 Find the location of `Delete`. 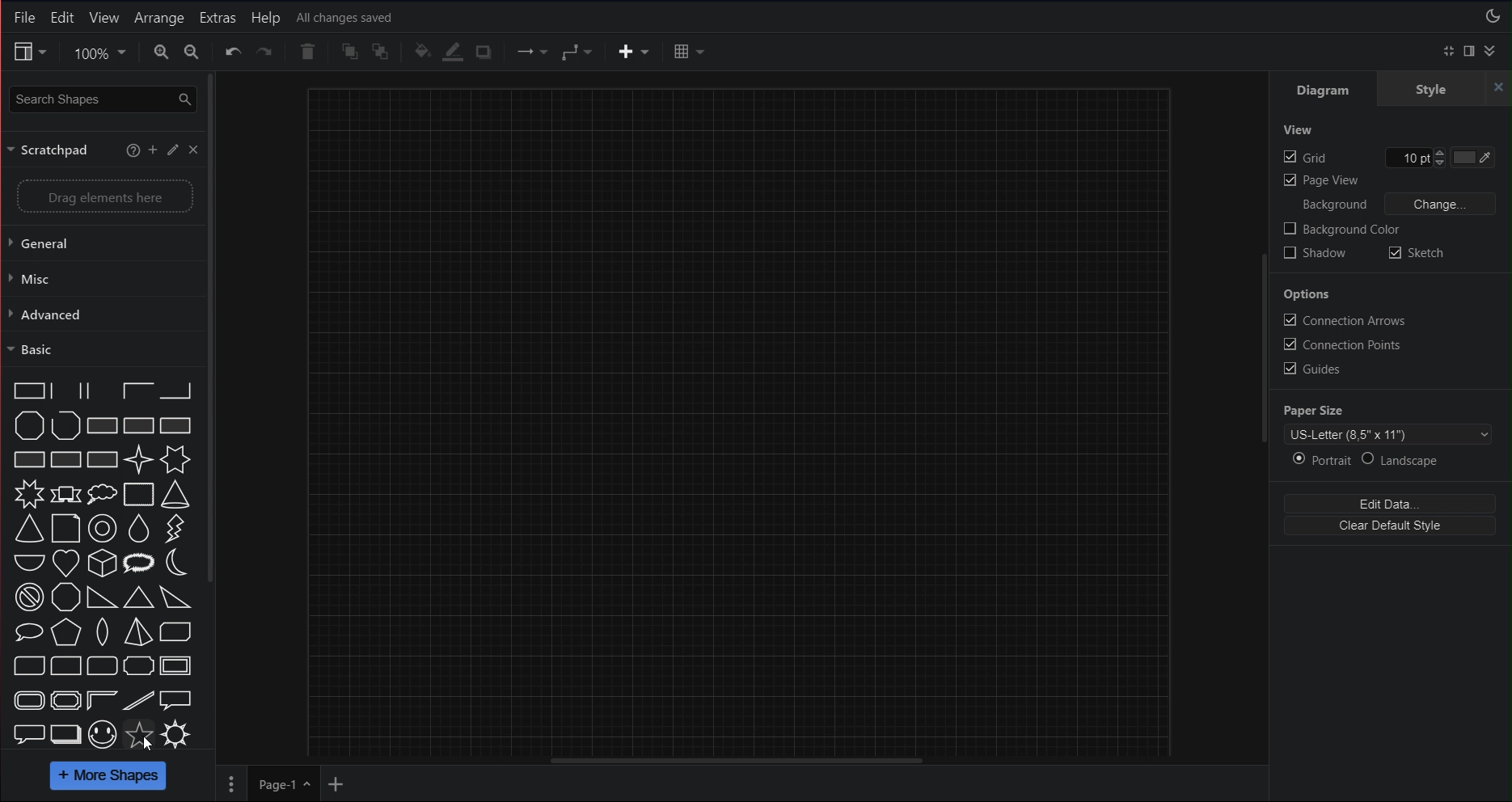

Delete is located at coordinates (306, 52).